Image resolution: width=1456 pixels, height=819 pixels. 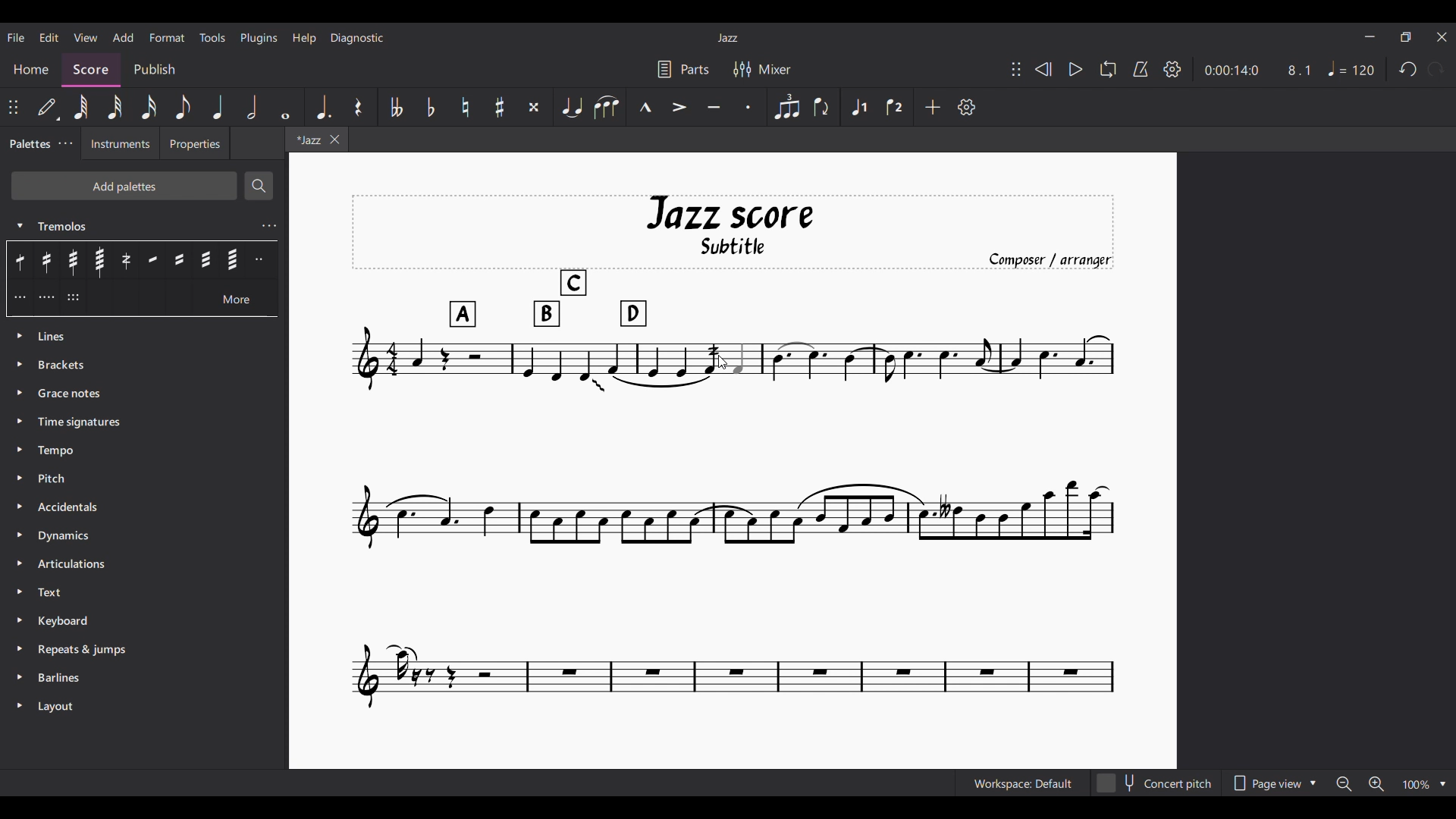 What do you see at coordinates (15, 38) in the screenshot?
I see `File` at bounding box center [15, 38].